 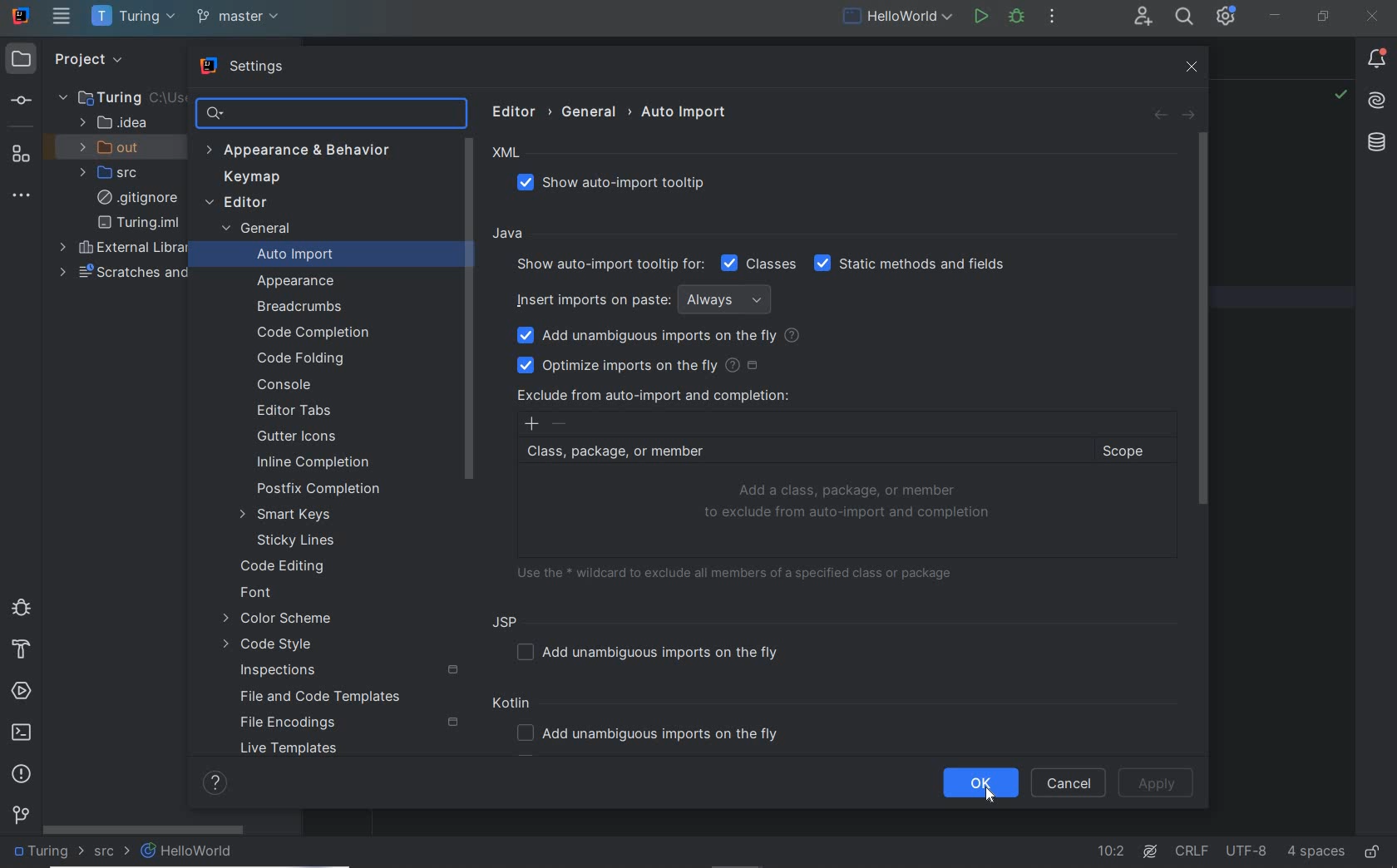 What do you see at coordinates (19, 606) in the screenshot?
I see `debug` at bounding box center [19, 606].